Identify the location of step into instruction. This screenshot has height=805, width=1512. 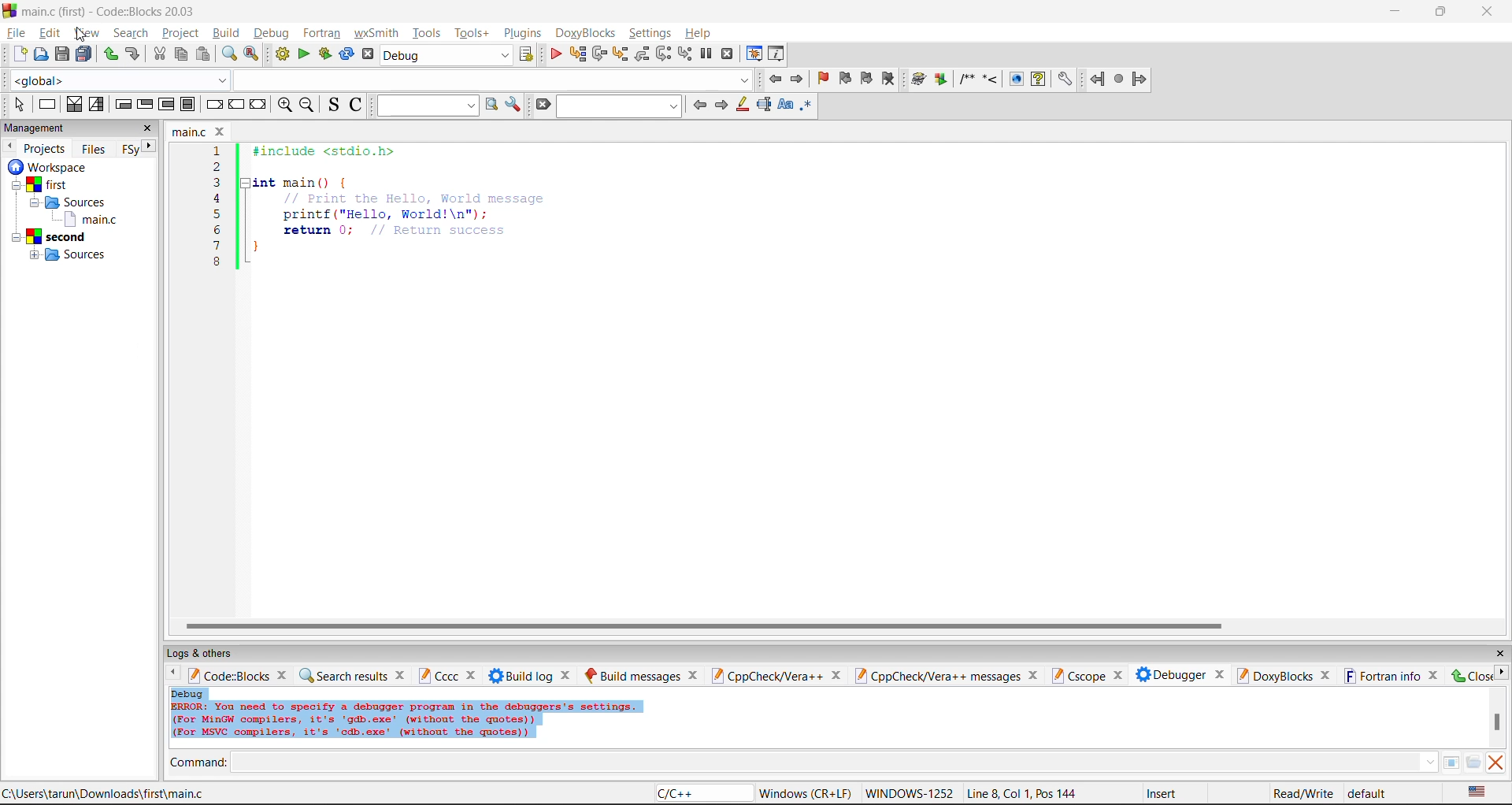
(684, 54).